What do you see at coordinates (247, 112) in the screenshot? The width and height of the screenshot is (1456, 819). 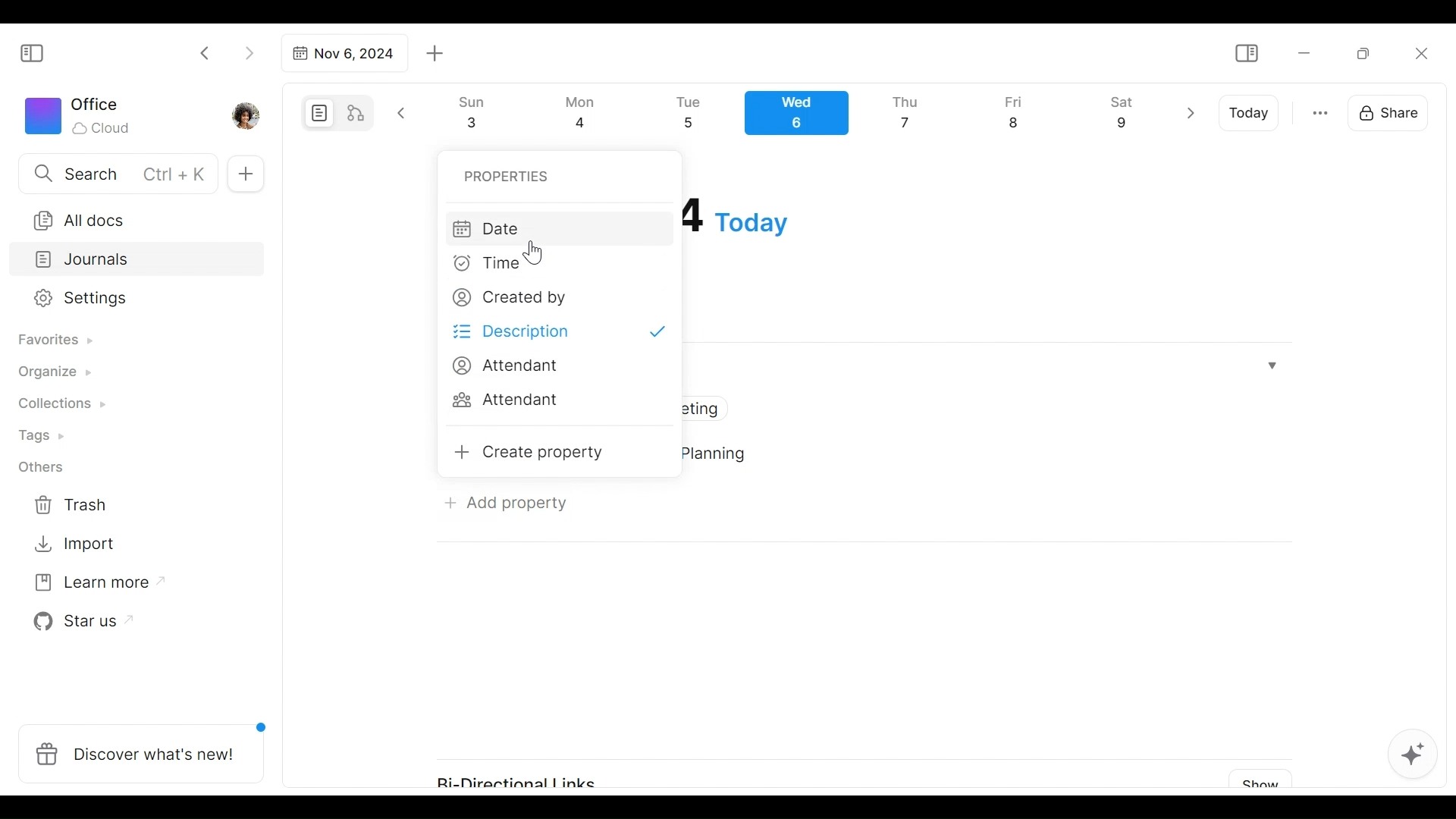 I see `Profile photo` at bounding box center [247, 112].